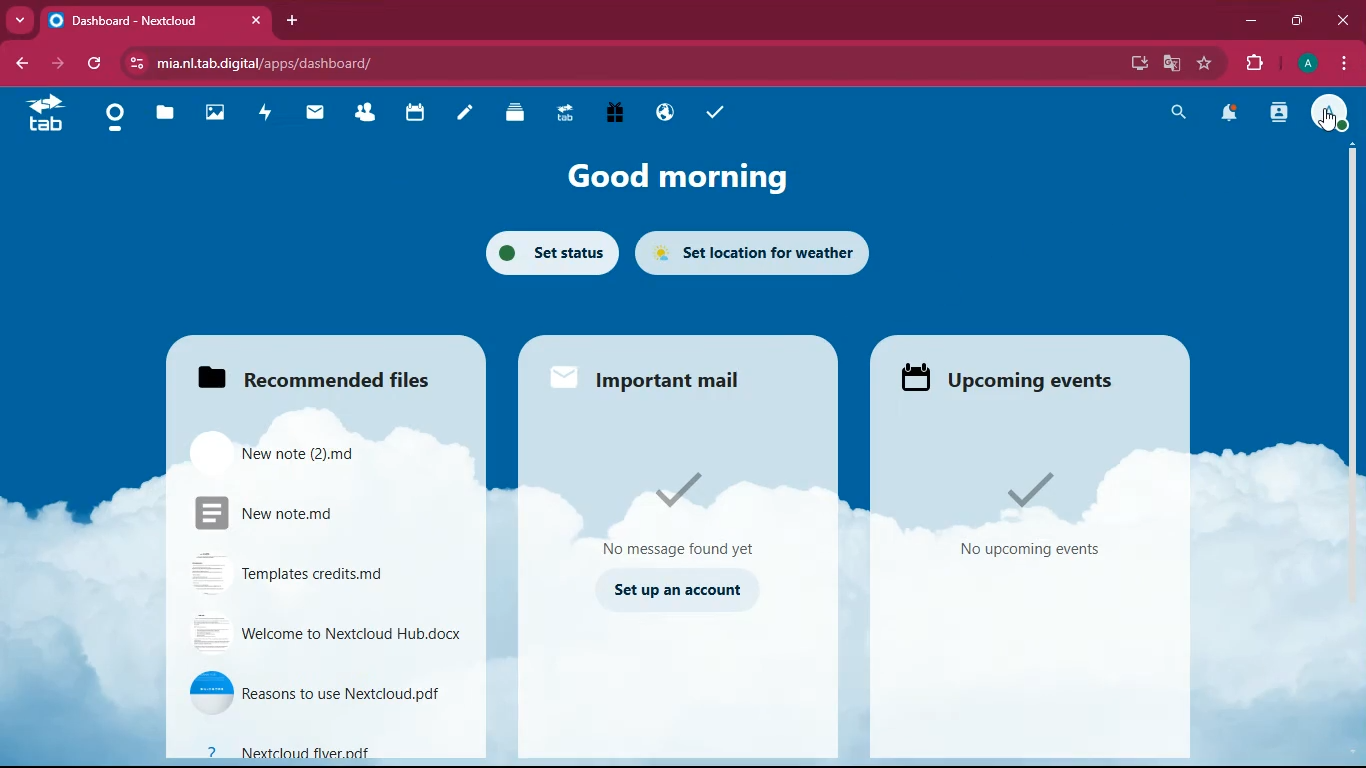 The image size is (1366, 768). I want to click on forward, so click(54, 65).